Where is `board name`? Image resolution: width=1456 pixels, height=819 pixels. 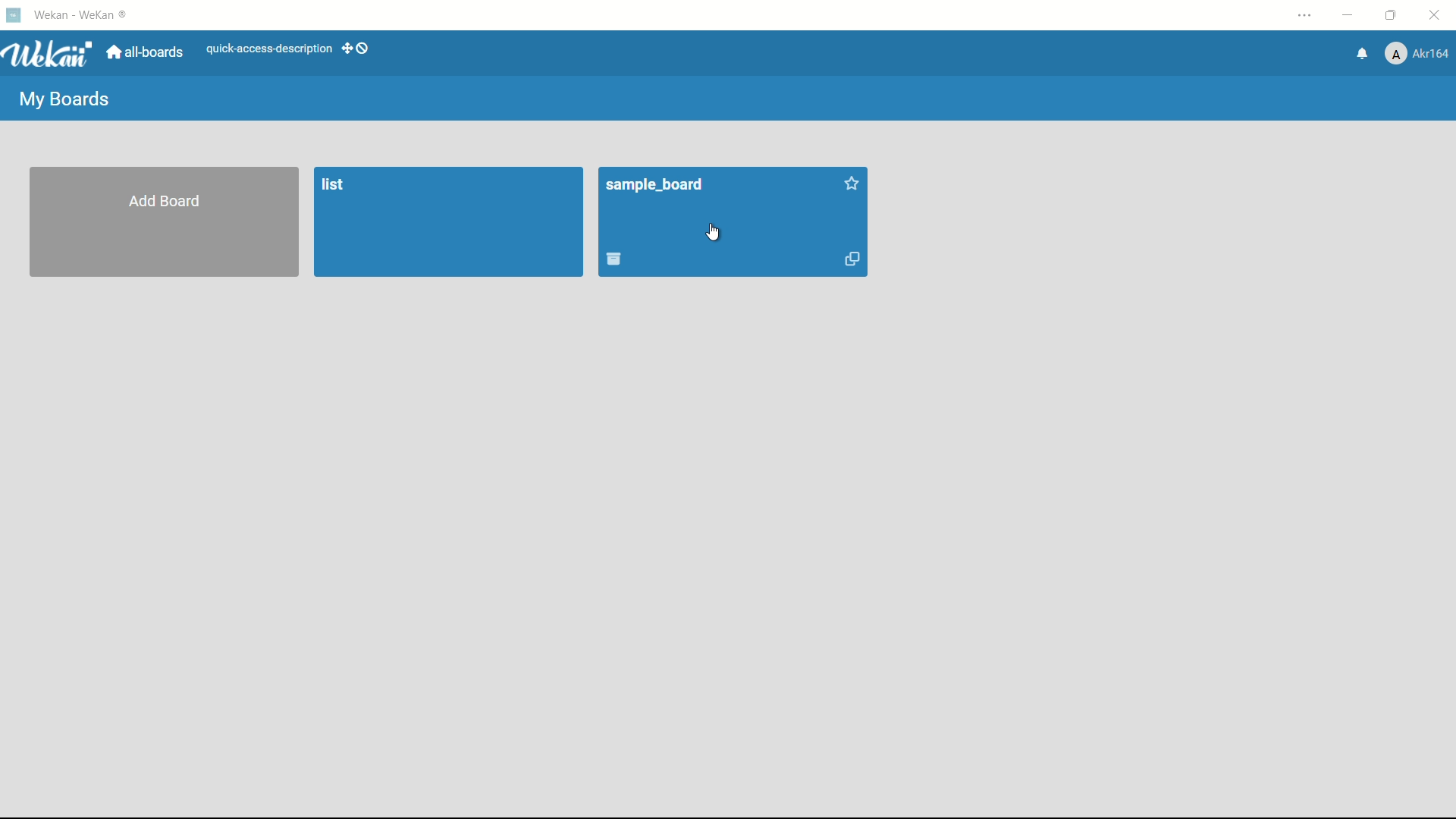 board name is located at coordinates (337, 186).